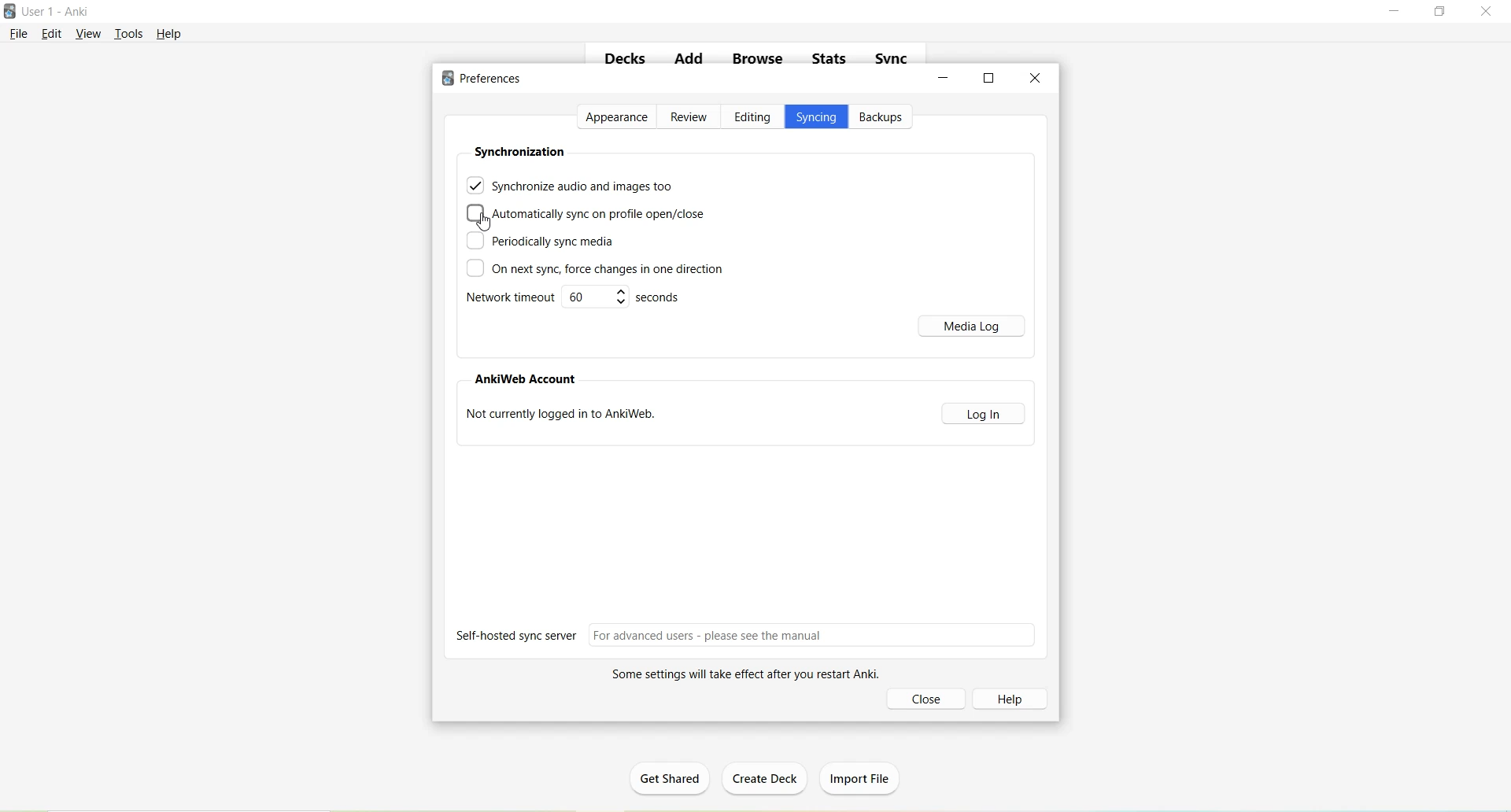 This screenshot has width=1511, height=812. What do you see at coordinates (483, 222) in the screenshot?
I see `cursor` at bounding box center [483, 222].